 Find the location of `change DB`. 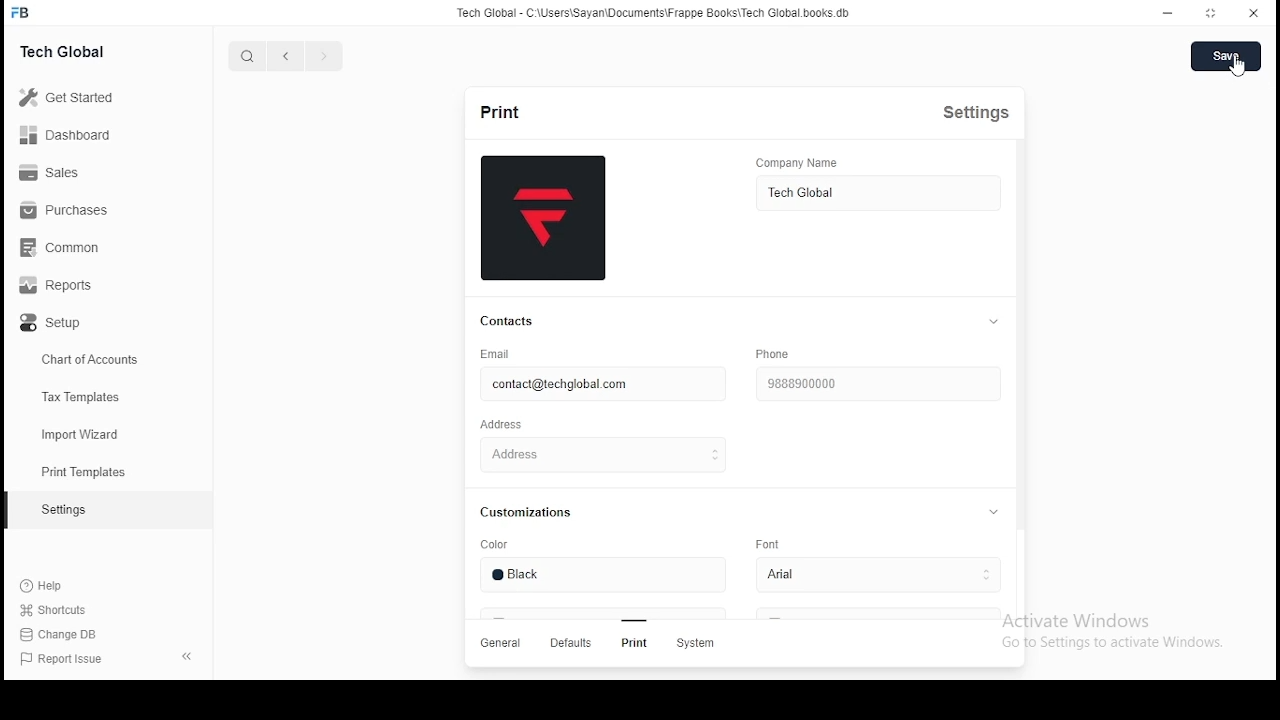

change DB is located at coordinates (54, 637).